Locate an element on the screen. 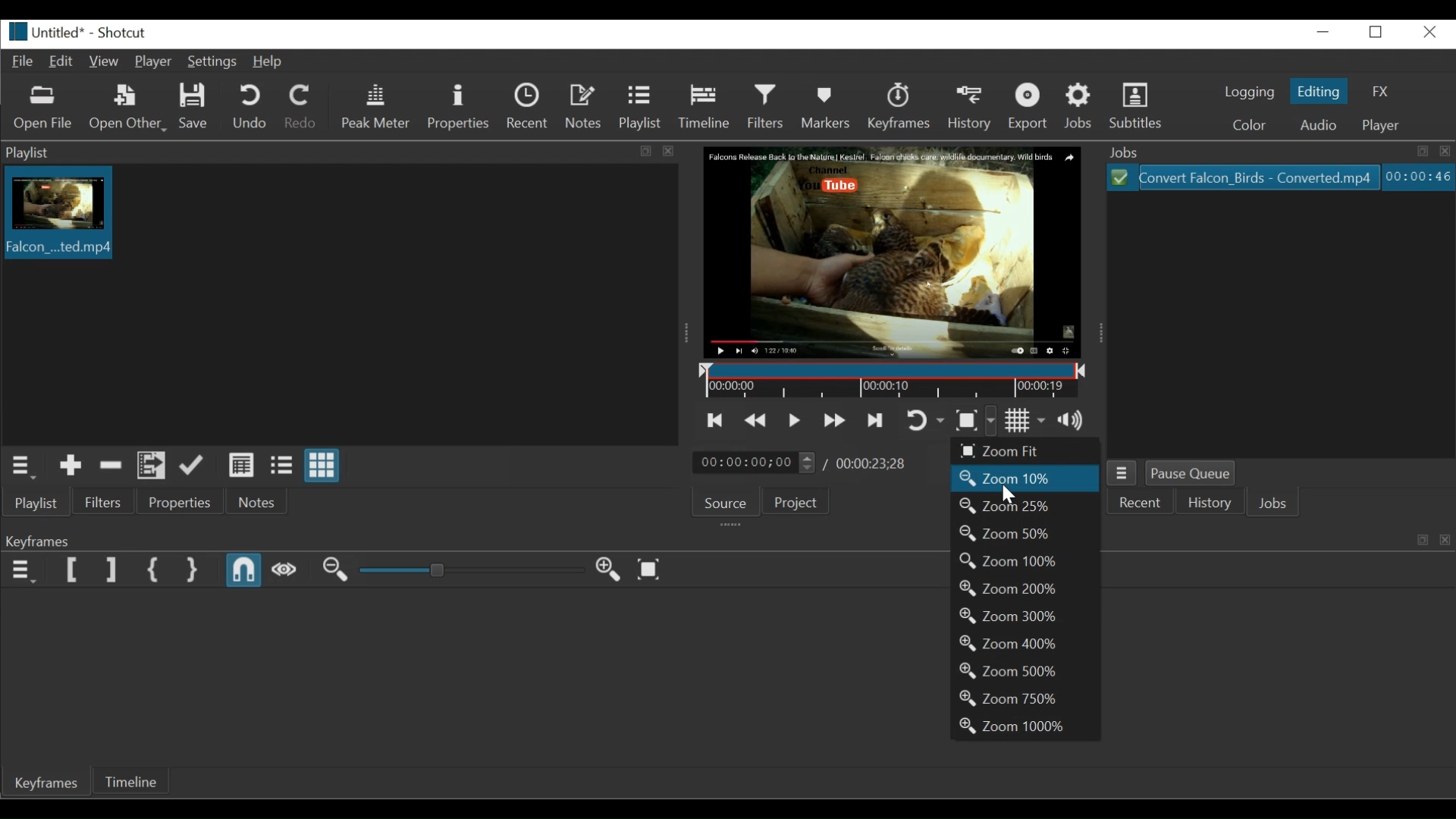  Playlist is located at coordinates (640, 107).